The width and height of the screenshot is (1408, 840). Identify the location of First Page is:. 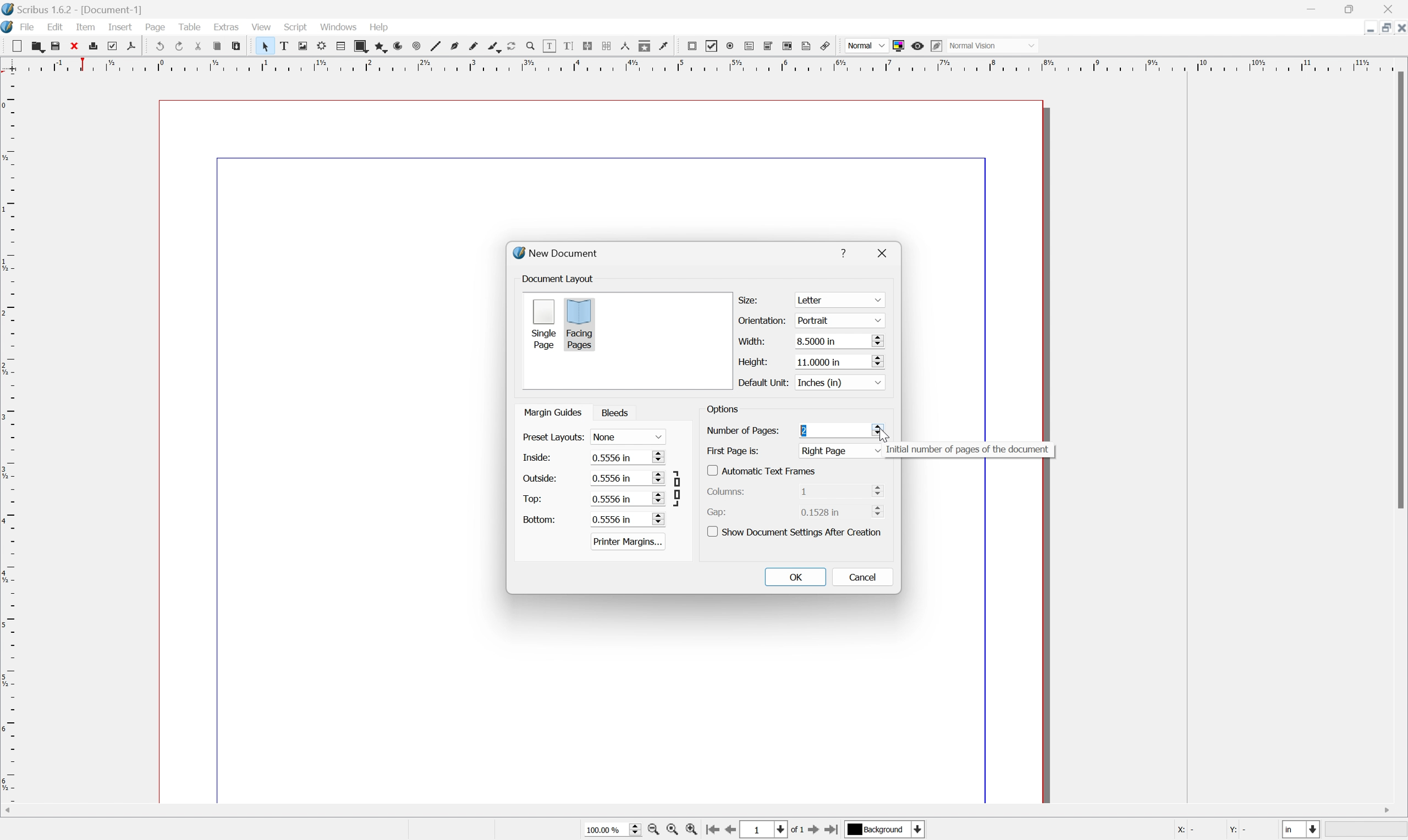
(842, 451).